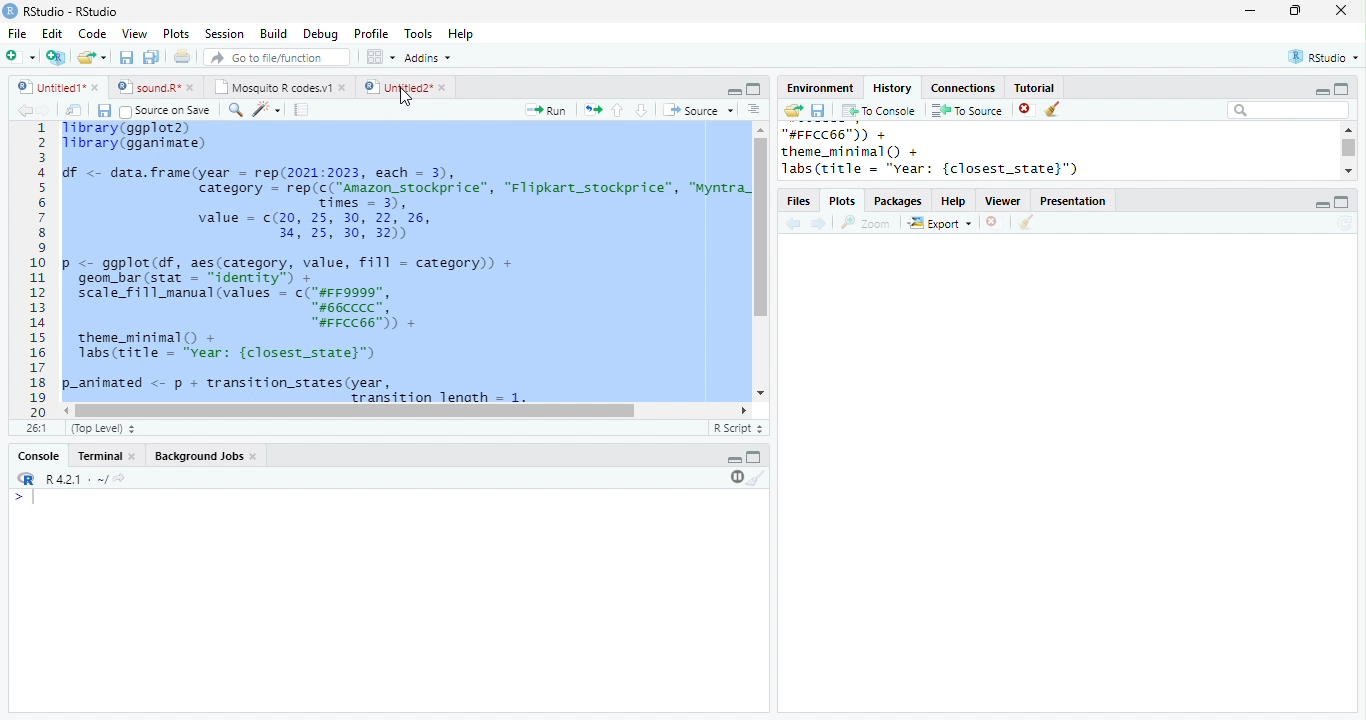 The width and height of the screenshot is (1366, 720). What do you see at coordinates (344, 89) in the screenshot?
I see `close` at bounding box center [344, 89].